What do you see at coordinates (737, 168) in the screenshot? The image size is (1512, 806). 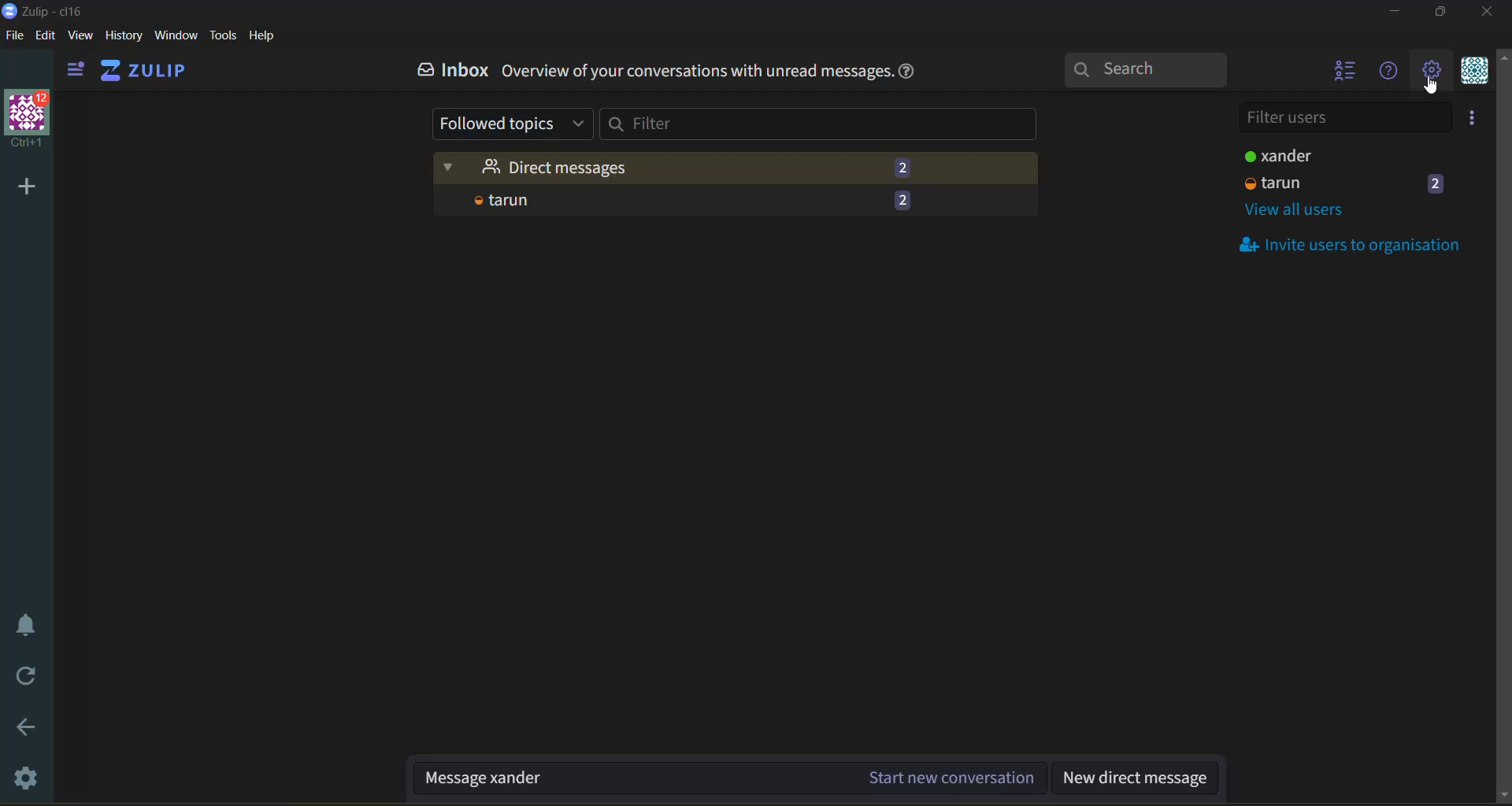 I see `direct messages (2)` at bounding box center [737, 168].